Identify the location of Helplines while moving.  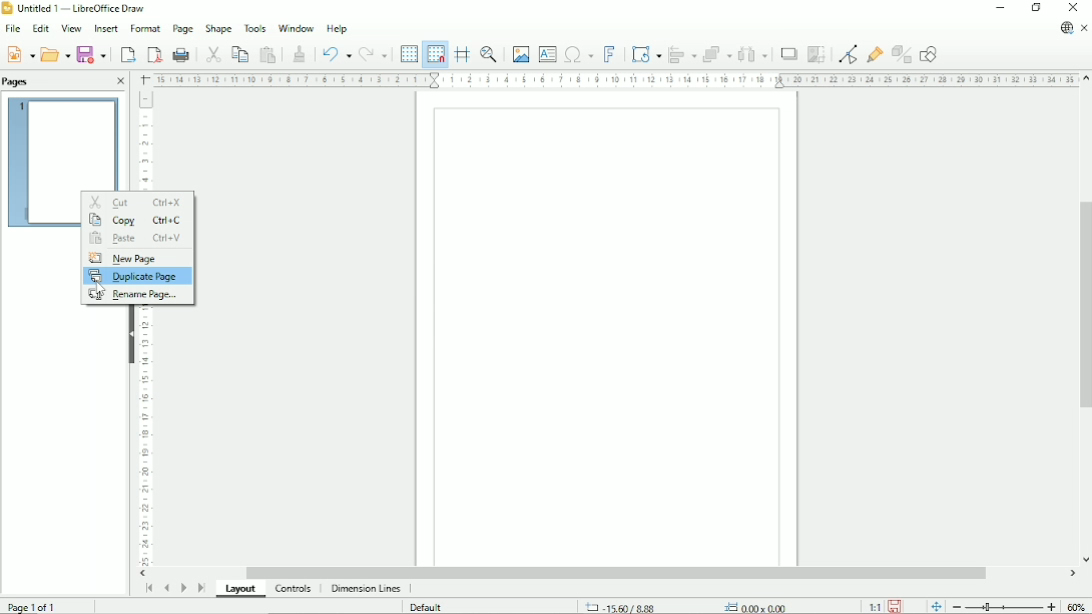
(462, 54).